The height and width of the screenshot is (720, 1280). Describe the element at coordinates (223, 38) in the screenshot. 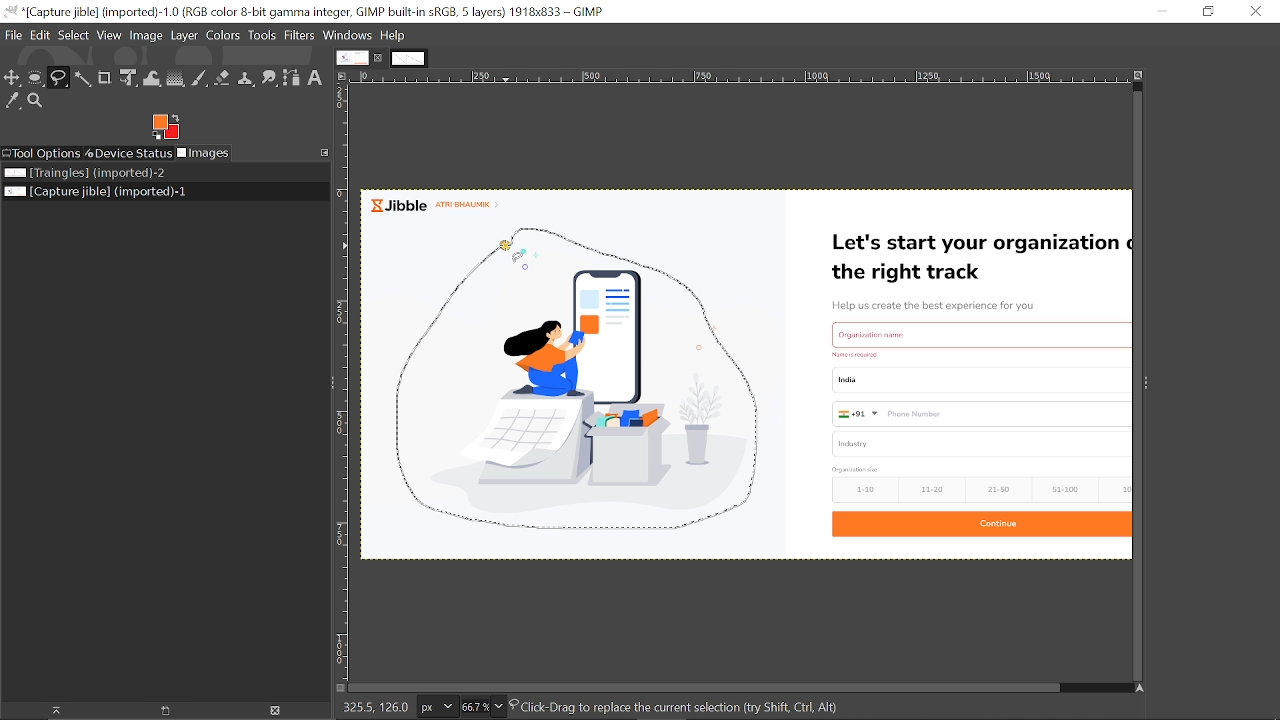

I see `Colors` at that location.